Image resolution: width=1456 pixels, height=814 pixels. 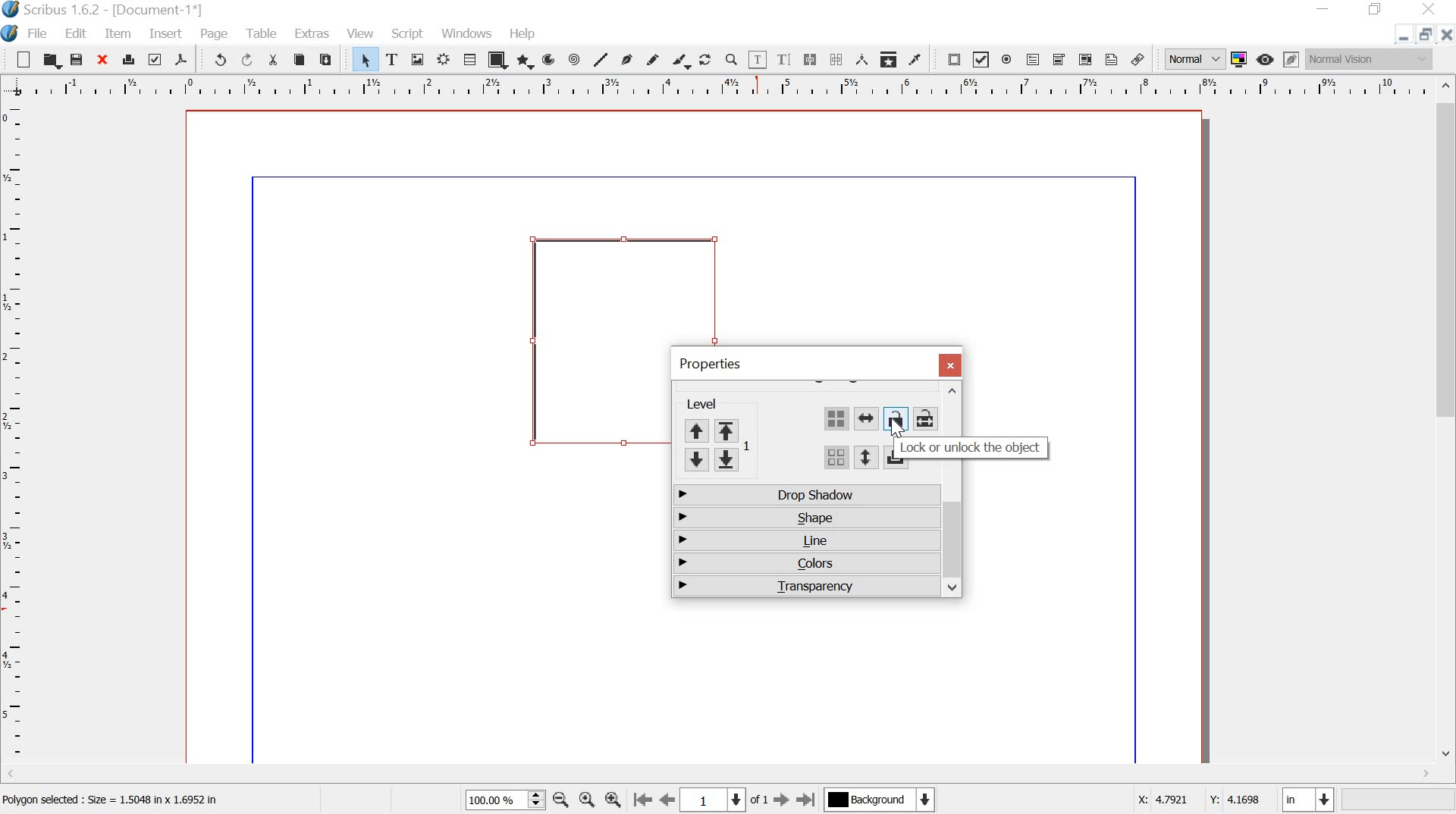 I want to click on link annotation, so click(x=1137, y=60).